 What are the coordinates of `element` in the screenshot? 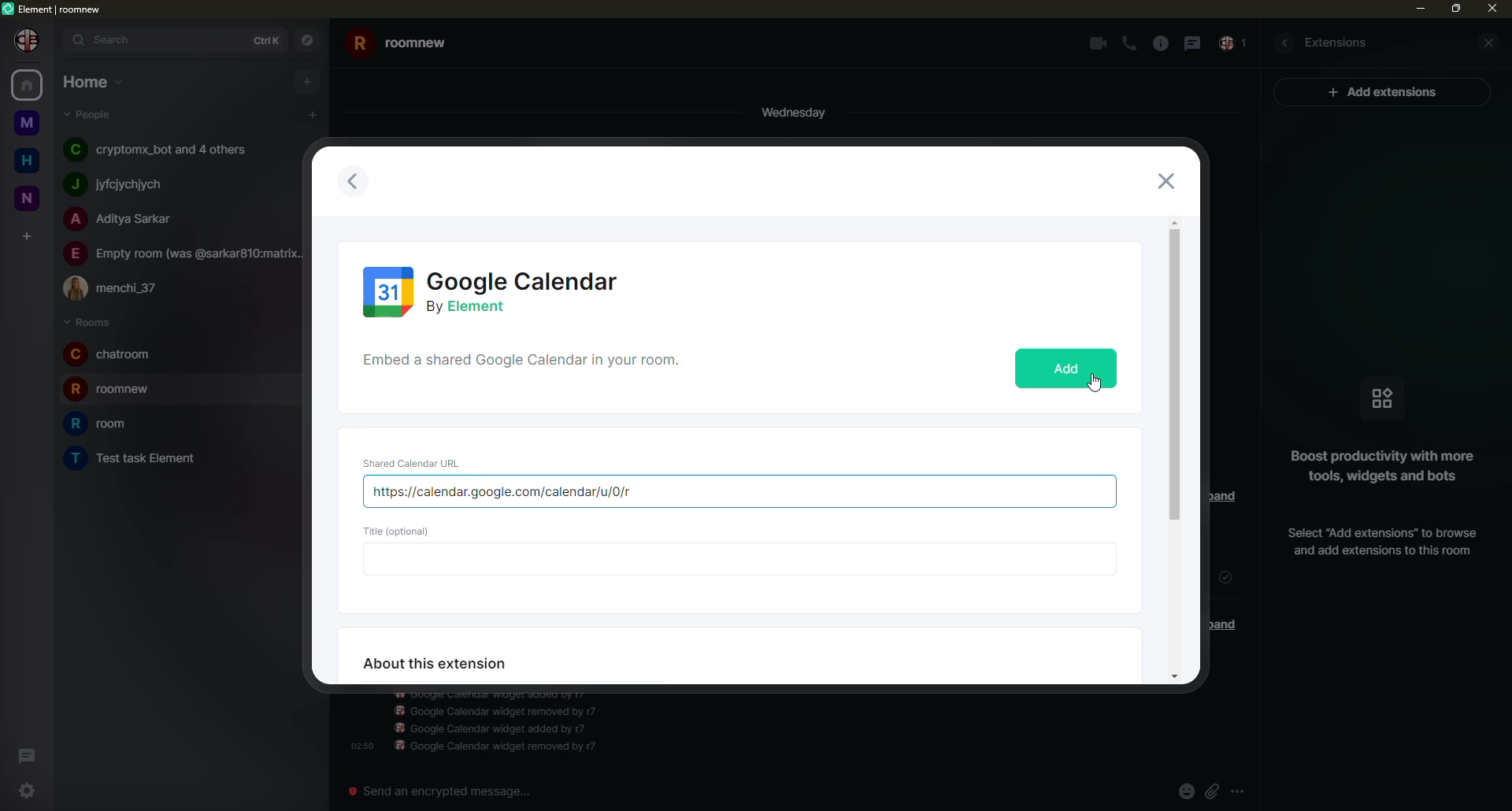 It's located at (54, 9).